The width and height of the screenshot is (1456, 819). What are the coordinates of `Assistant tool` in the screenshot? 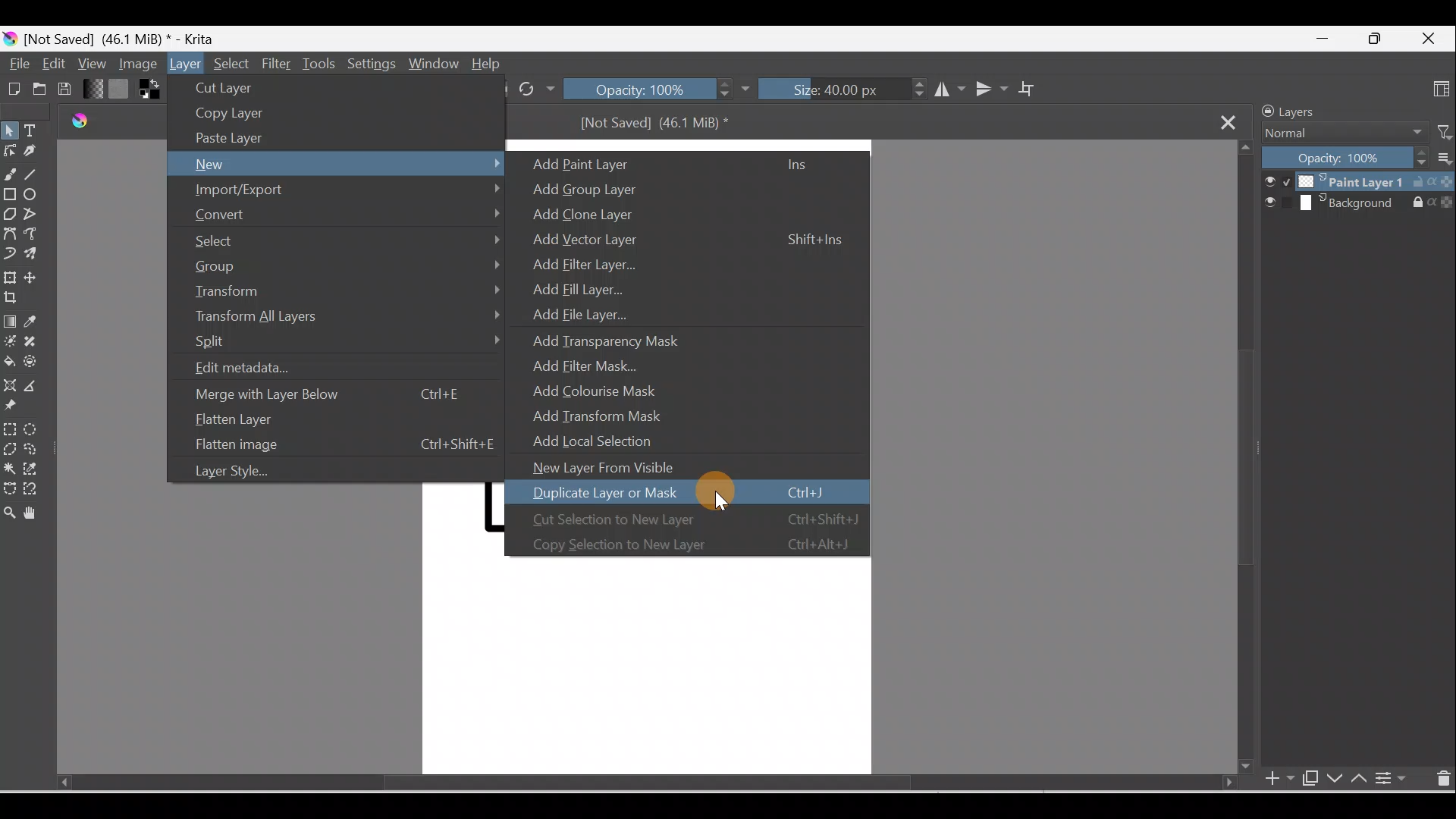 It's located at (11, 384).